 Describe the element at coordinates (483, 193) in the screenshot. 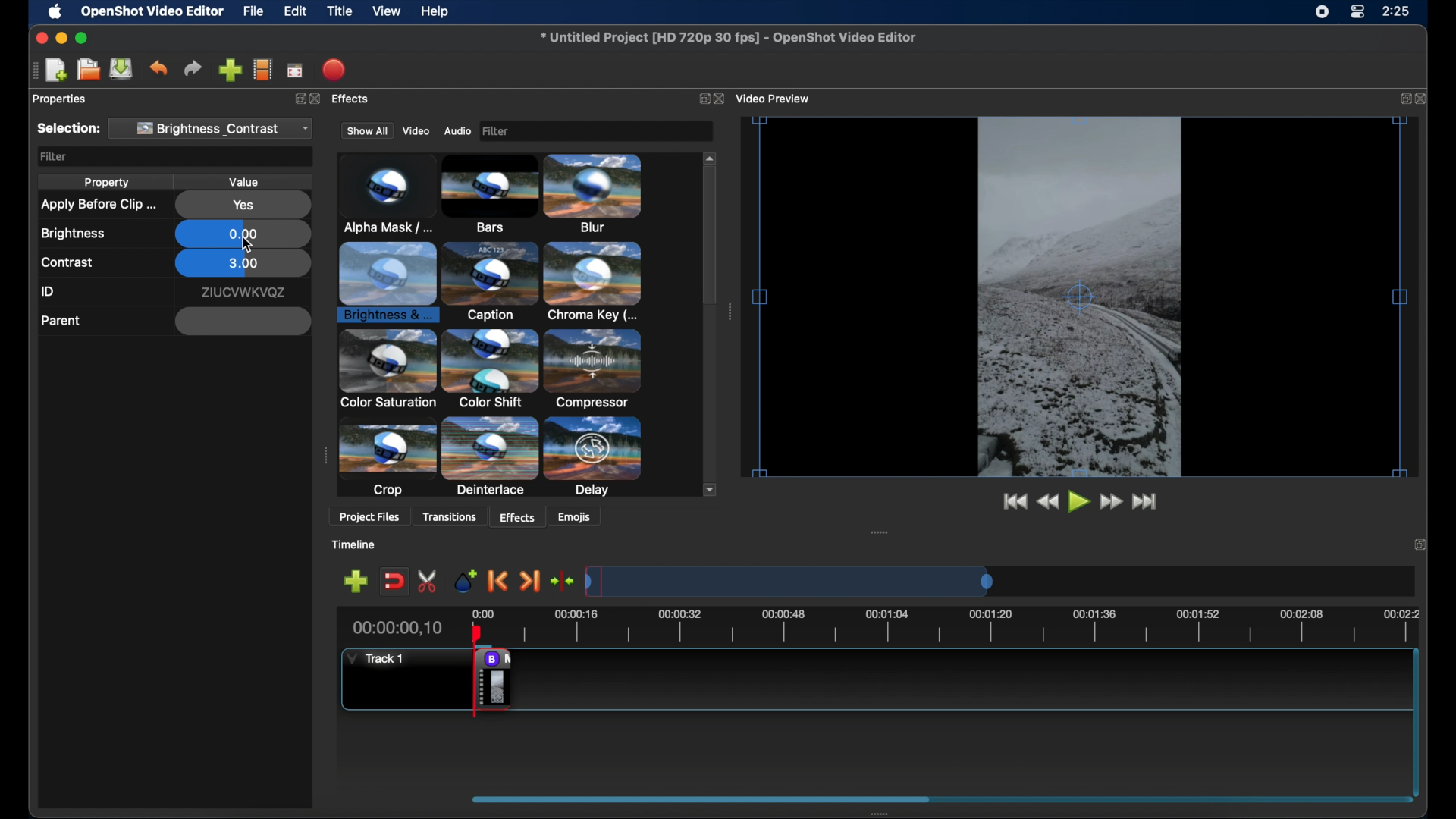

I see `blur` at that location.